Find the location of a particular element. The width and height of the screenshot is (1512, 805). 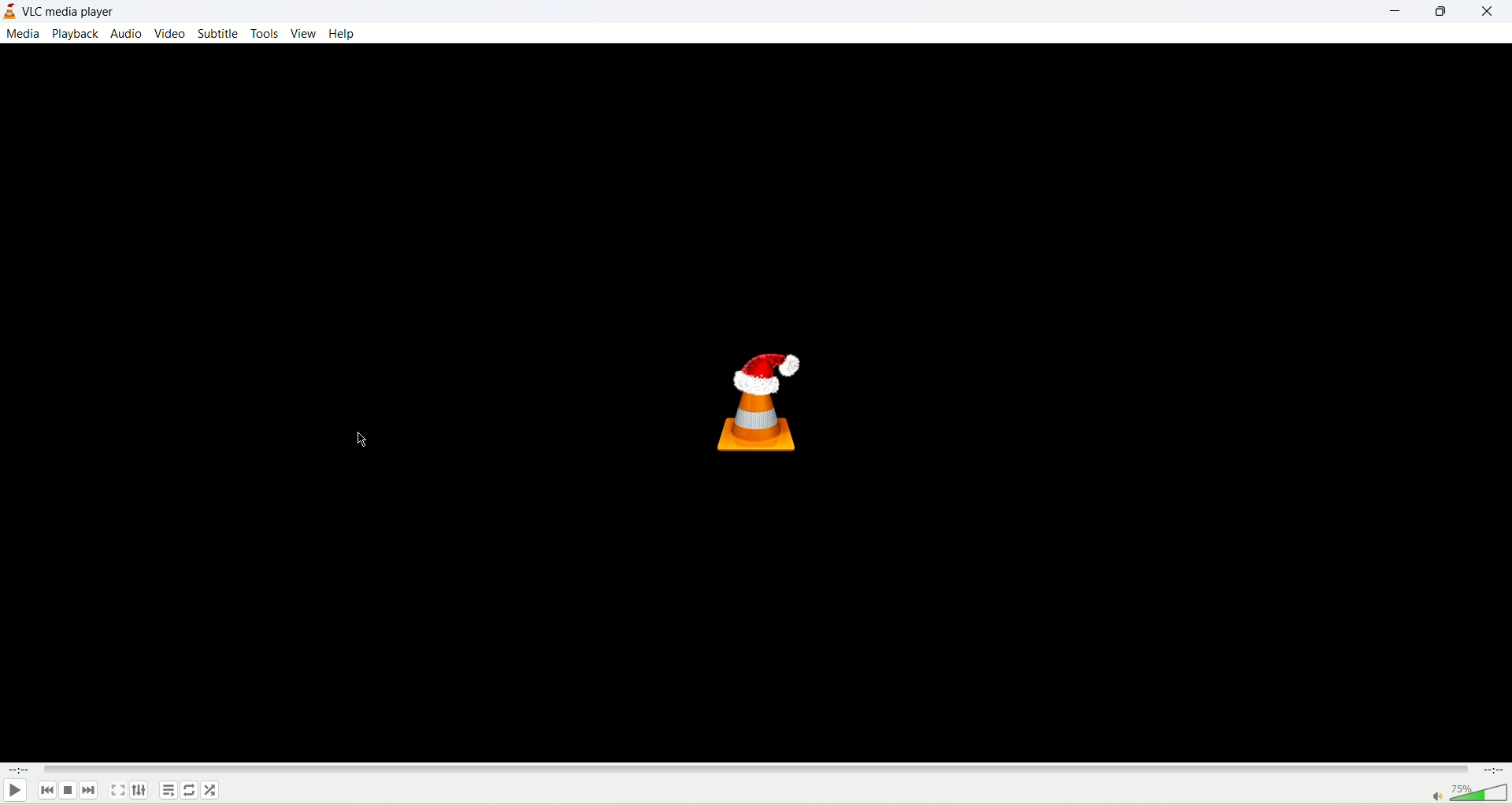

loop is located at coordinates (192, 790).